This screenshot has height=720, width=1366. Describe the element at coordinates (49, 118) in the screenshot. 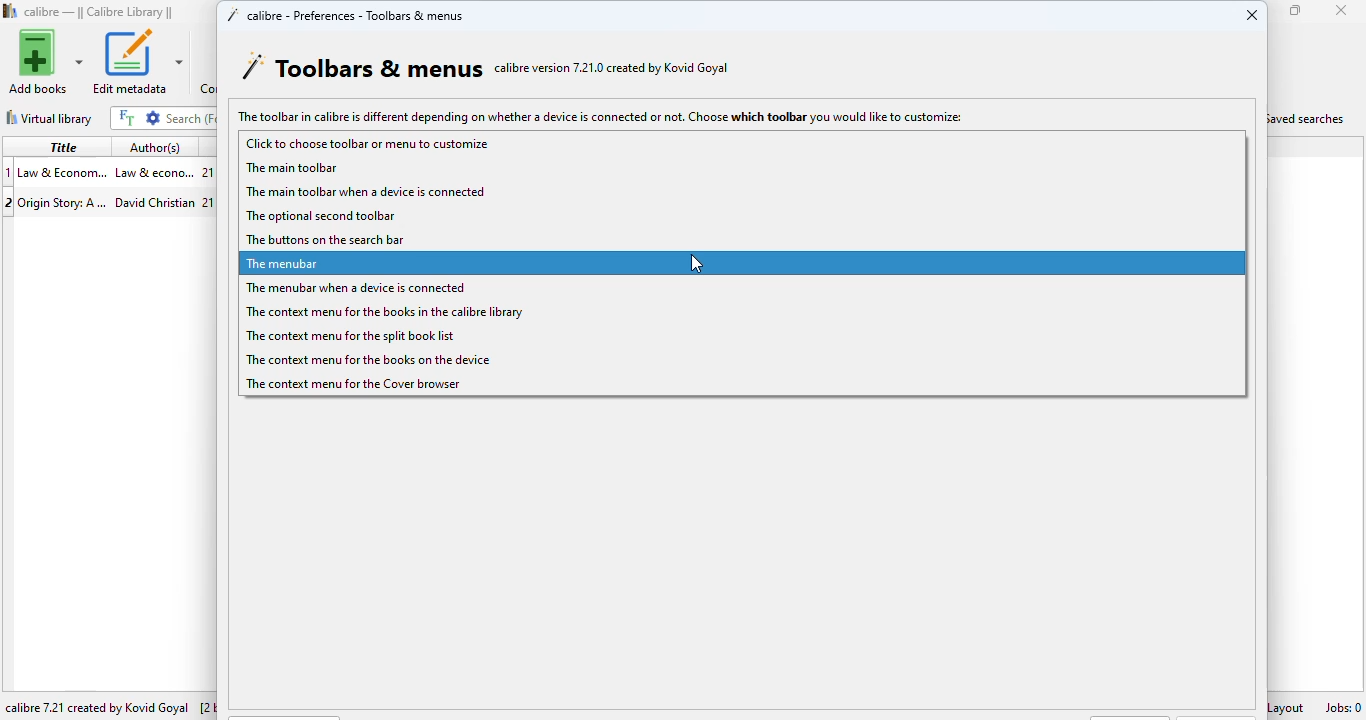

I see `virtual library` at that location.